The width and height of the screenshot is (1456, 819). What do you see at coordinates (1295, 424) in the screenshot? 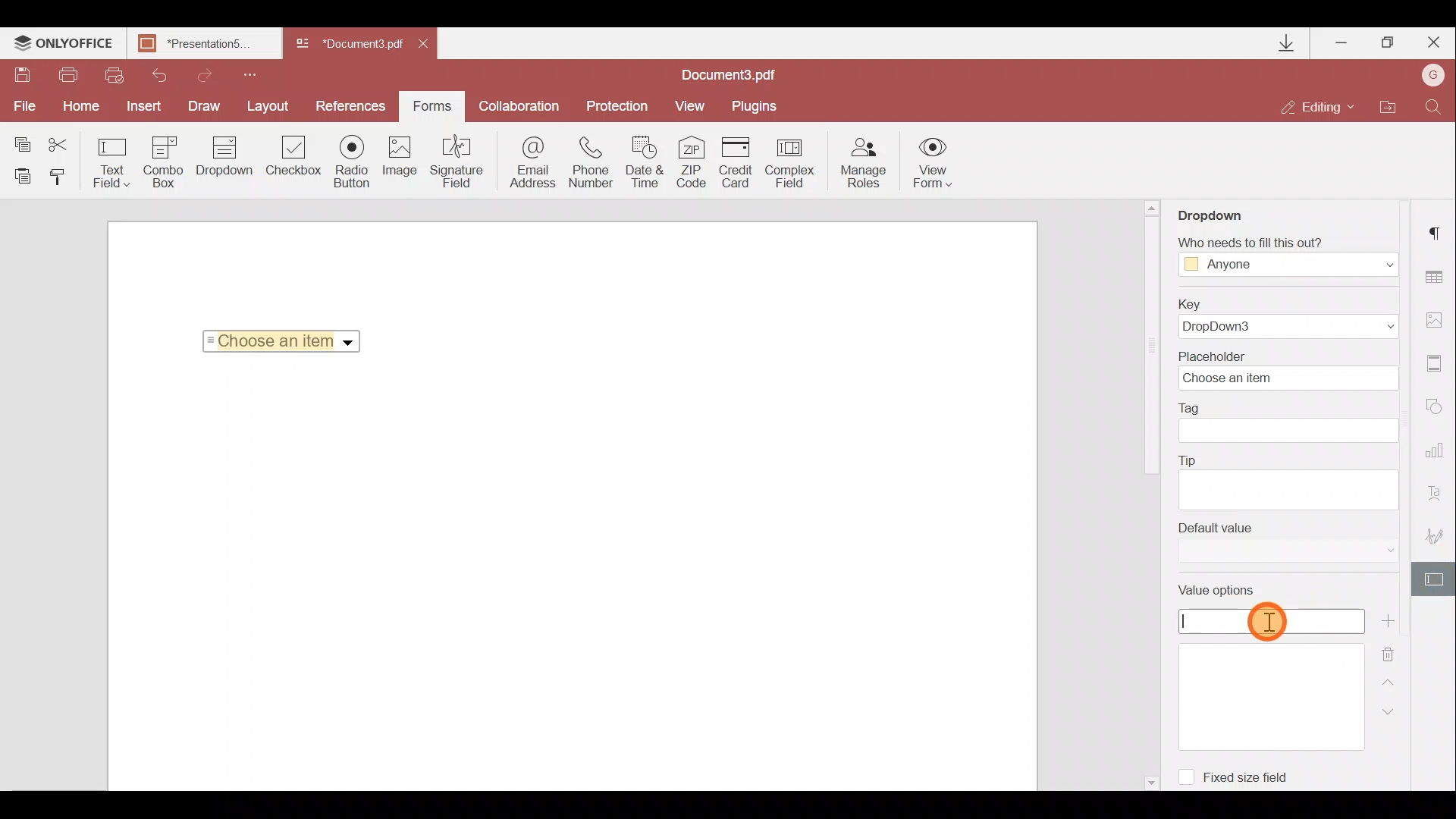
I see `Tag` at bounding box center [1295, 424].